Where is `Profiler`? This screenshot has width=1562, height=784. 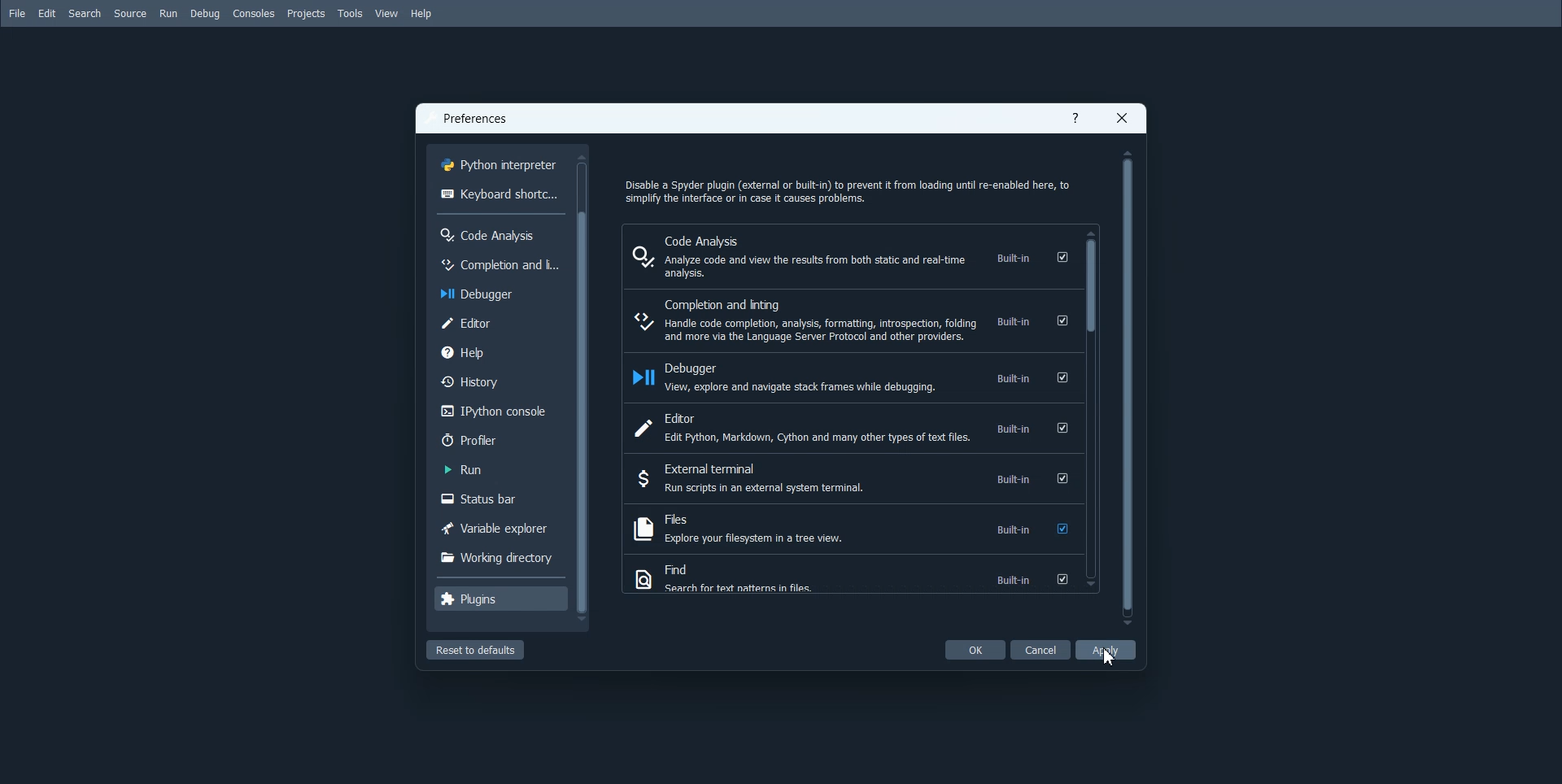 Profiler is located at coordinates (500, 439).